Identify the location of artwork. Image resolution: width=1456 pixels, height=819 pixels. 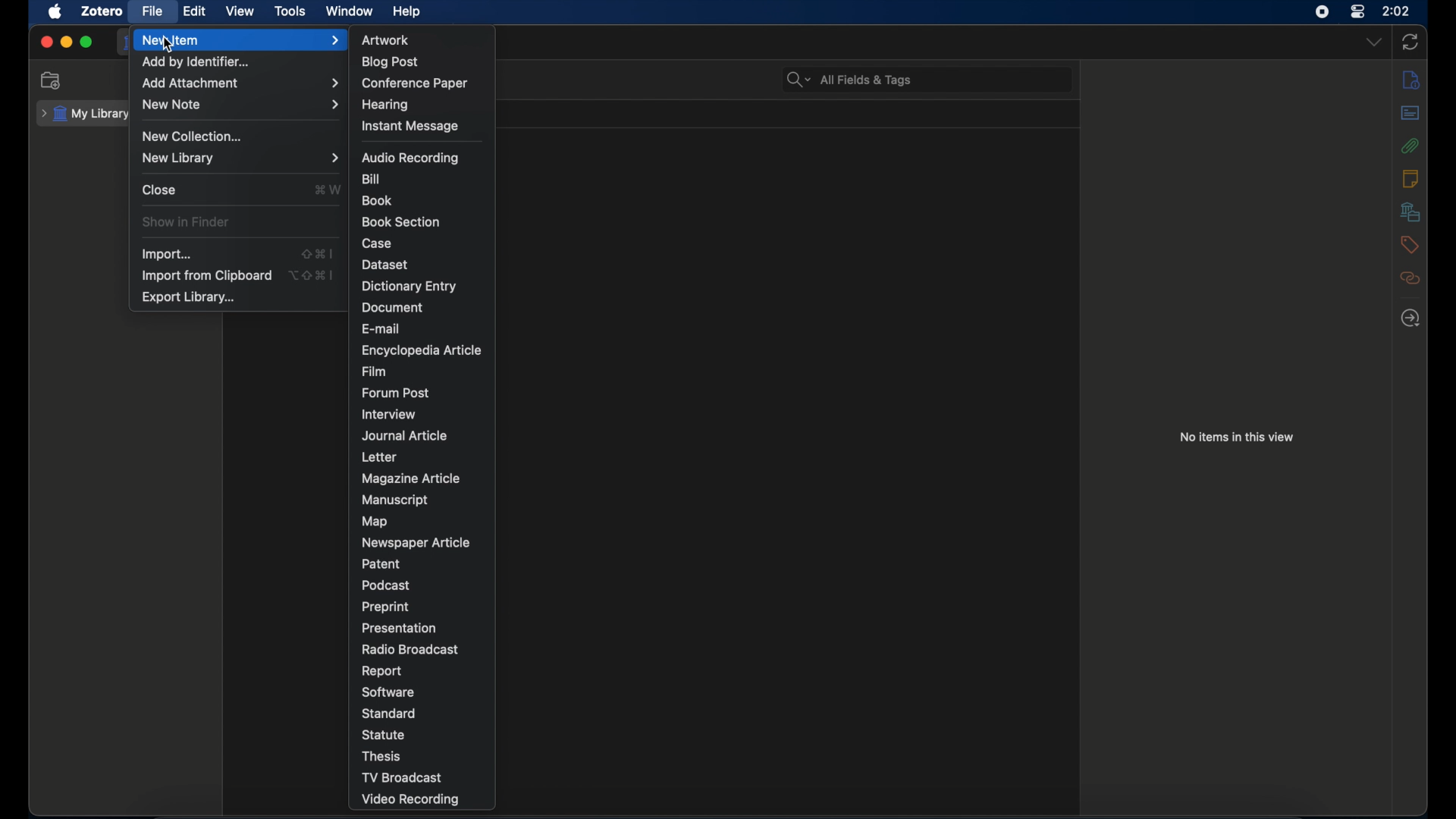
(384, 40).